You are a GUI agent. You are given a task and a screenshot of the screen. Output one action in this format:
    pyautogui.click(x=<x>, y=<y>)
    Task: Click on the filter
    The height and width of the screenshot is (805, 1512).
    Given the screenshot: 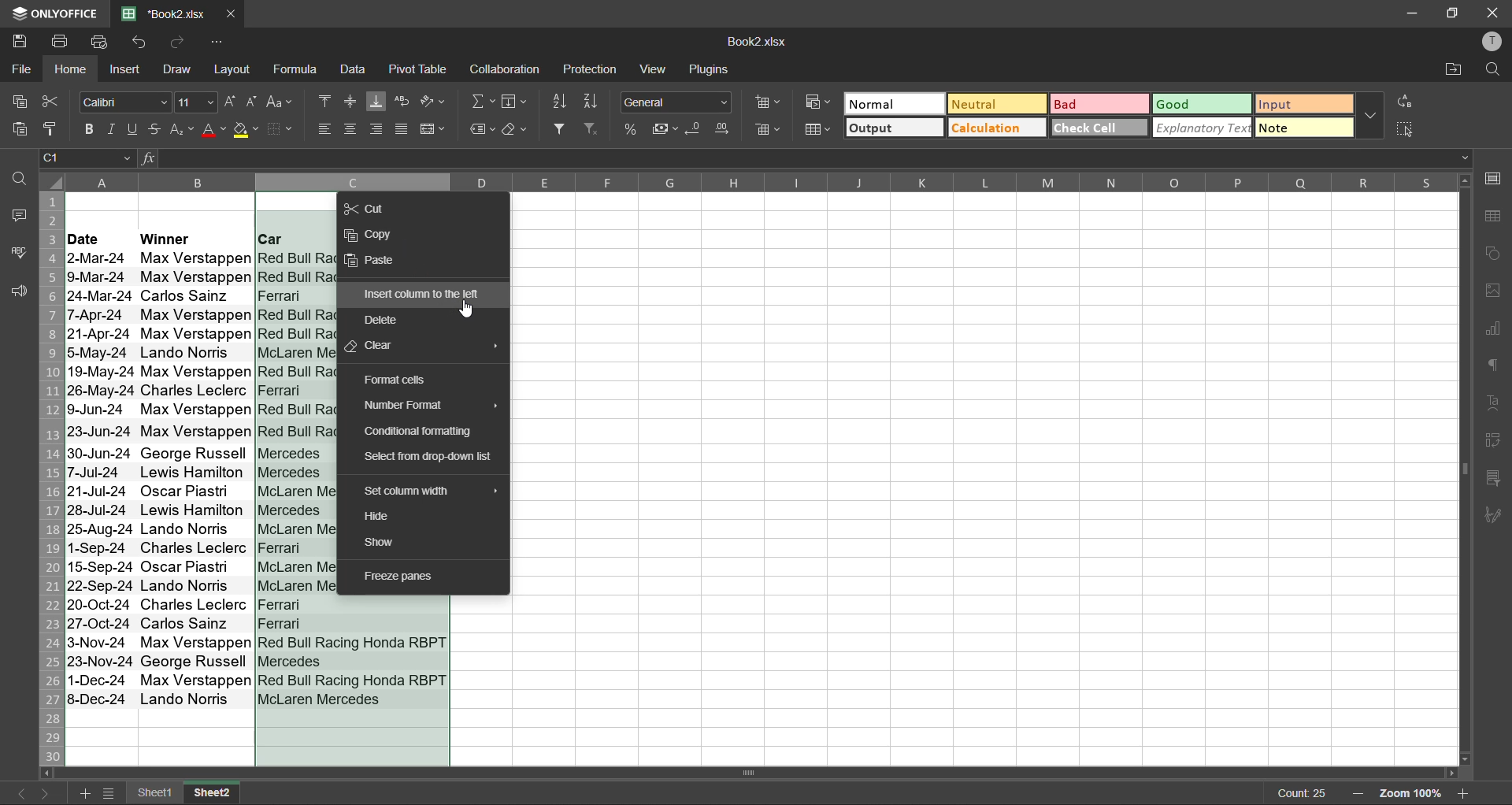 What is the action you would take?
    pyautogui.click(x=561, y=131)
    